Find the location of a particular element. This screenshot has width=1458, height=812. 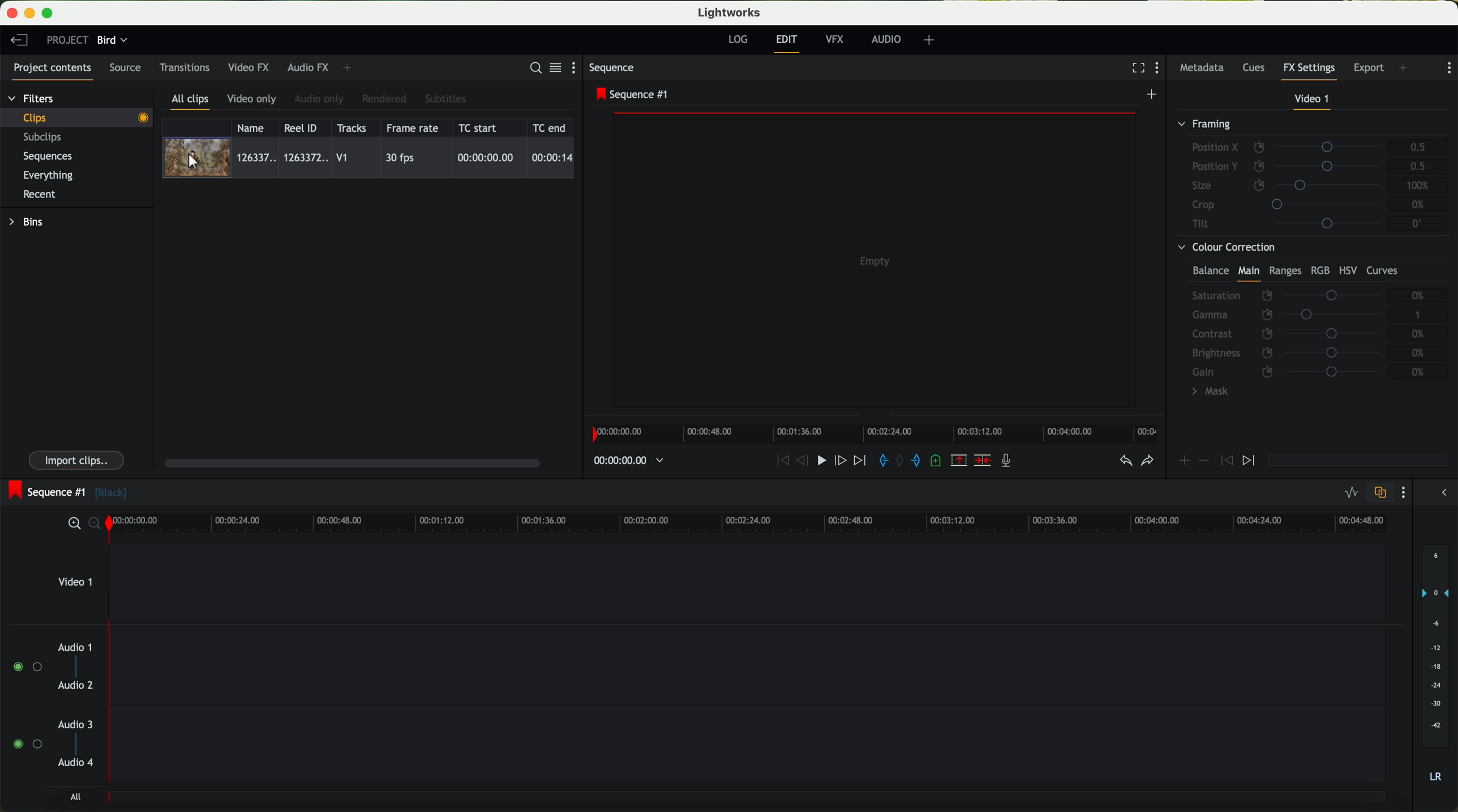

0% is located at coordinates (1420, 334).